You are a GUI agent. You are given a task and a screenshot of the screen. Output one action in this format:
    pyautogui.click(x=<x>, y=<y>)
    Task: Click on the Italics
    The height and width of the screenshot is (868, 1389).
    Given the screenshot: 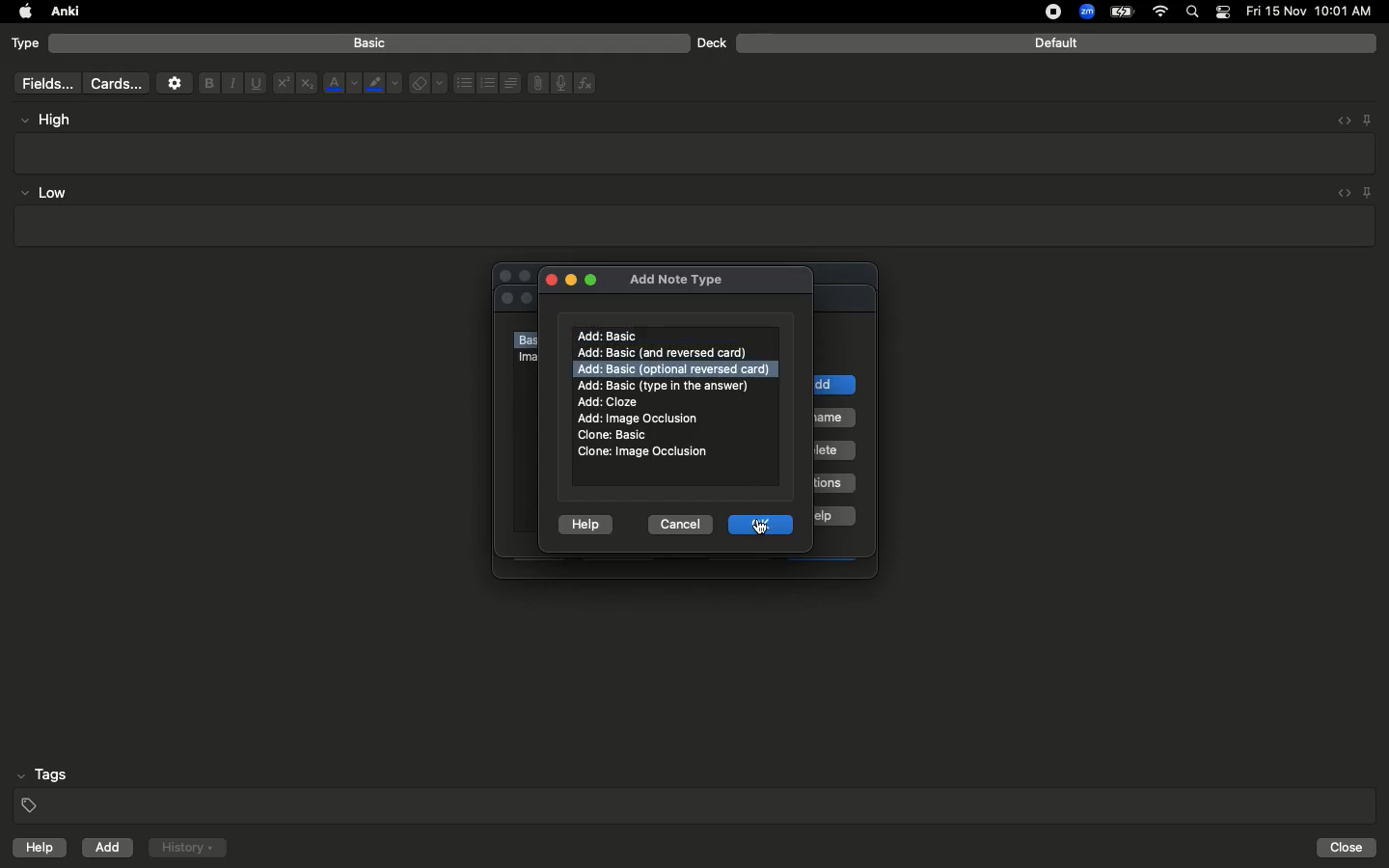 What is the action you would take?
    pyautogui.click(x=230, y=84)
    